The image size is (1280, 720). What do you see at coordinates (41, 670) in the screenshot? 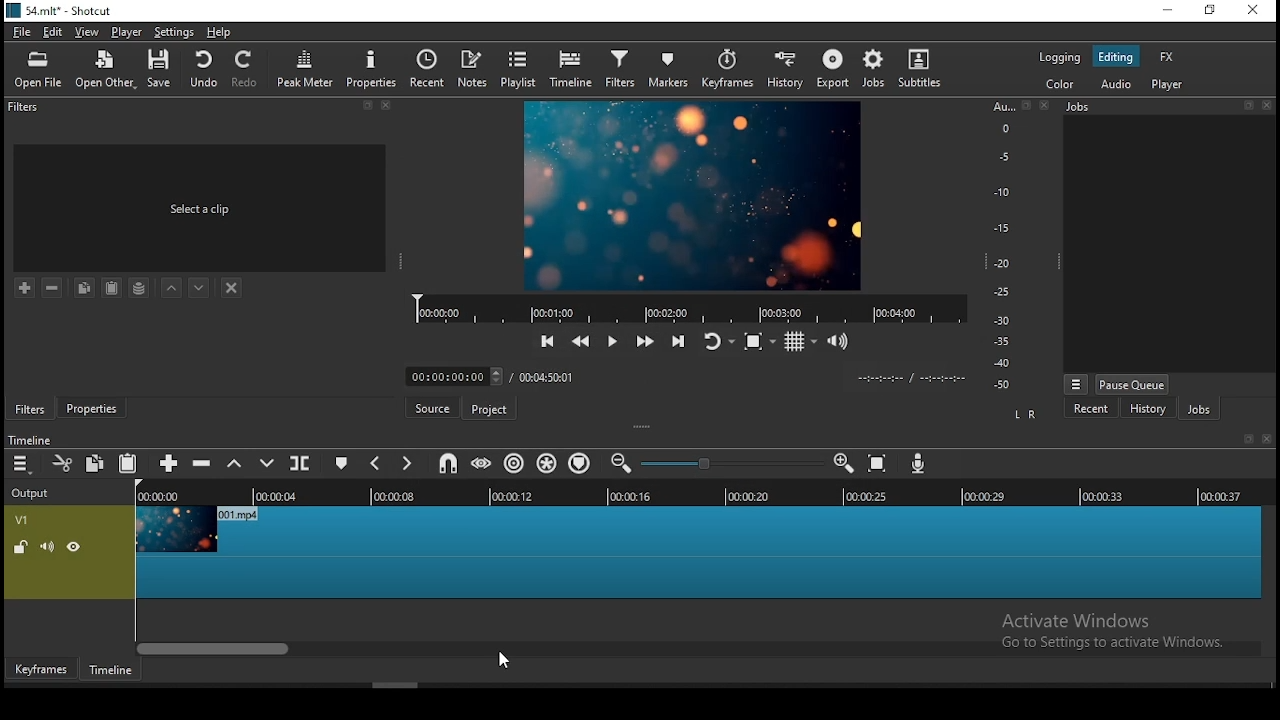
I see `keyframe` at bounding box center [41, 670].